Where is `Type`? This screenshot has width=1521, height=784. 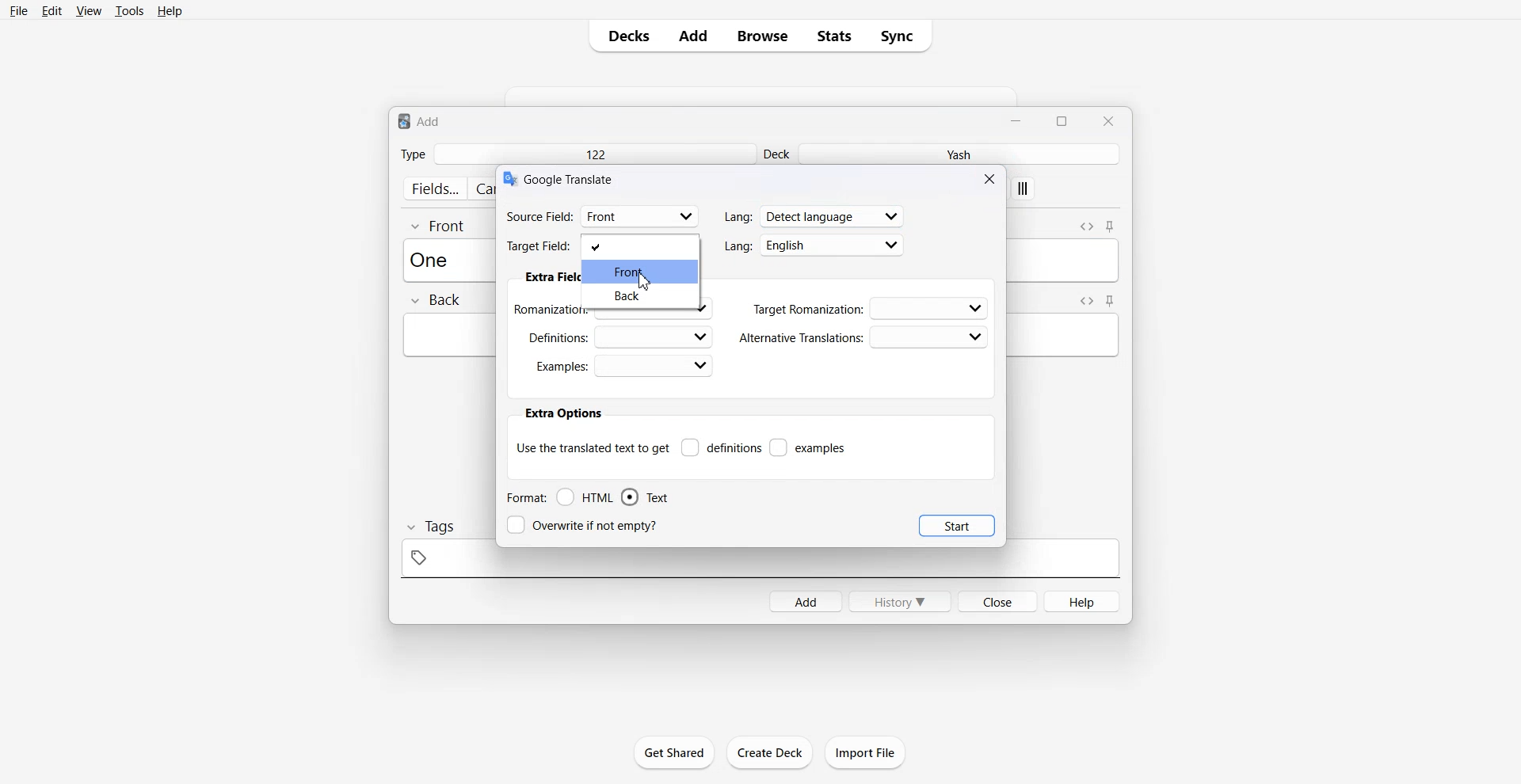 Type is located at coordinates (413, 154).